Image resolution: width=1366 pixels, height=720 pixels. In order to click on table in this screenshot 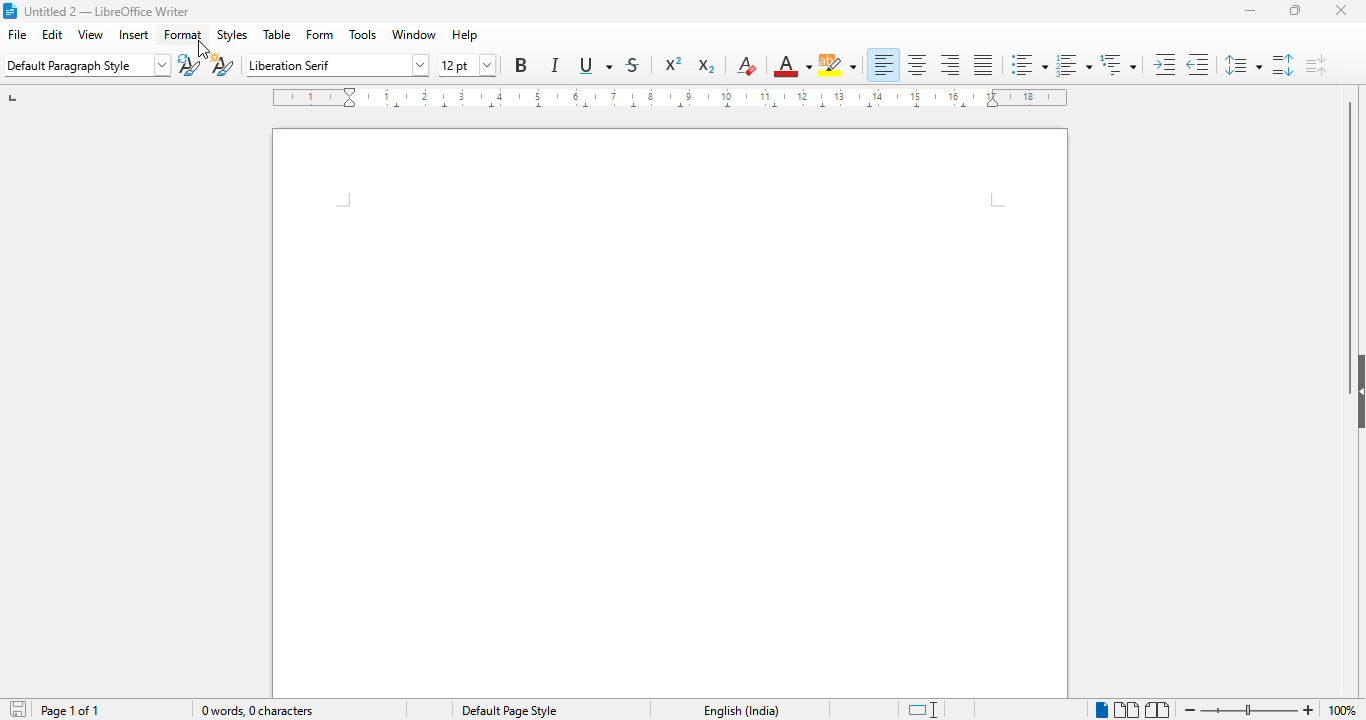, I will do `click(278, 34)`.